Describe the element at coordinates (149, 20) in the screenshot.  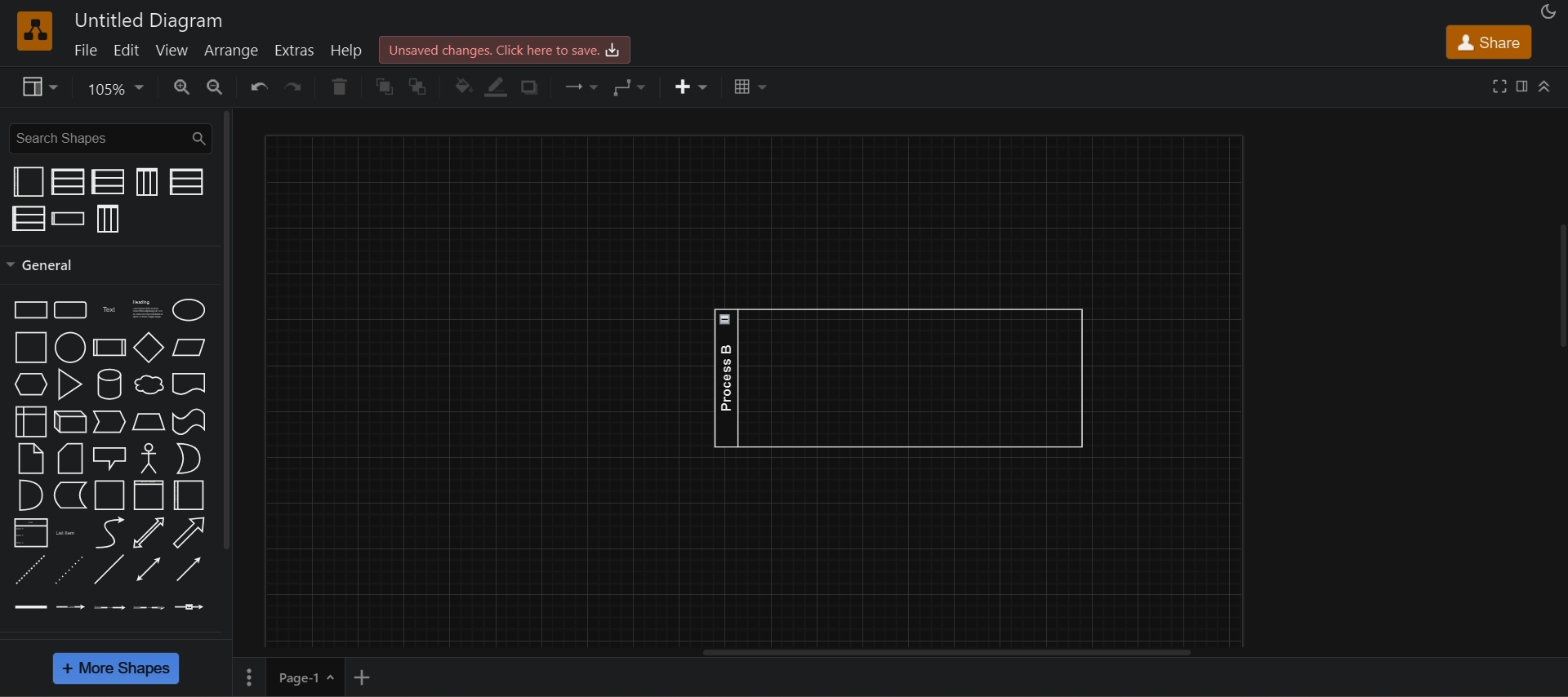
I see `Untitled diagram` at that location.